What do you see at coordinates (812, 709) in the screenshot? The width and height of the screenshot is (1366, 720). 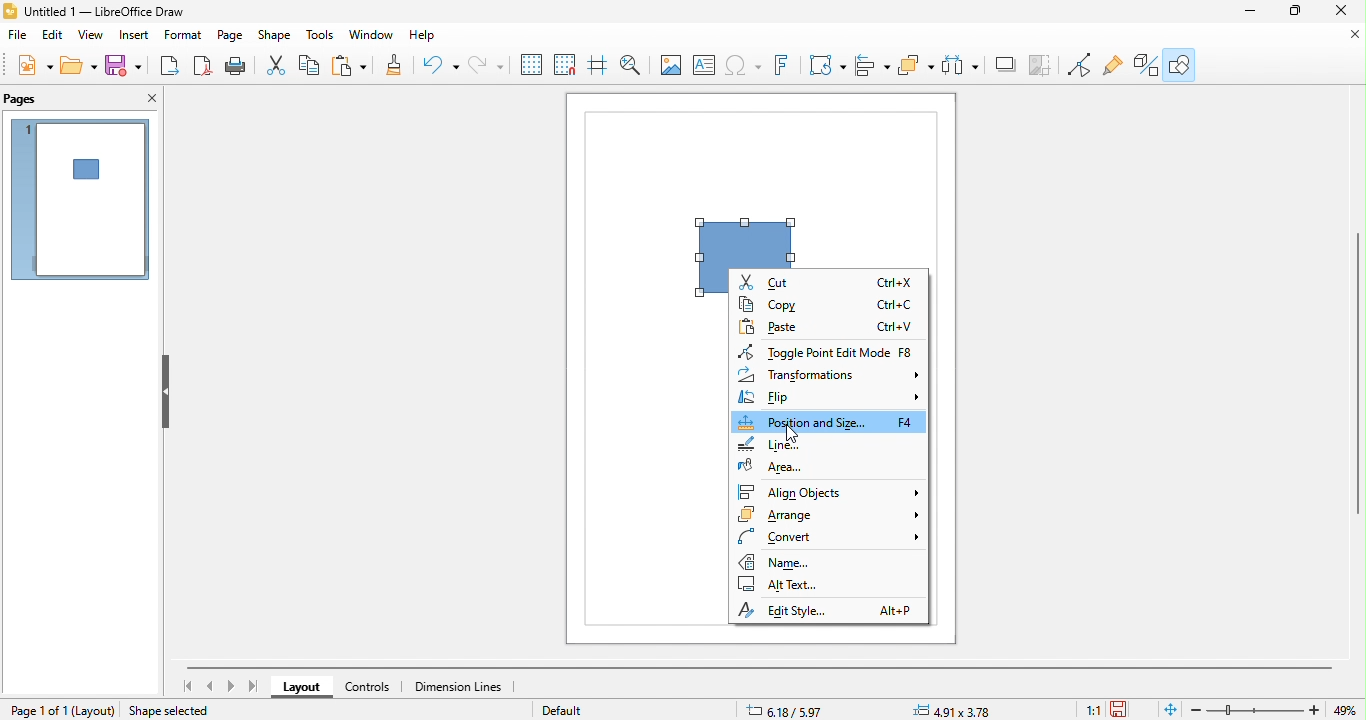 I see `7.75/8.45` at bounding box center [812, 709].